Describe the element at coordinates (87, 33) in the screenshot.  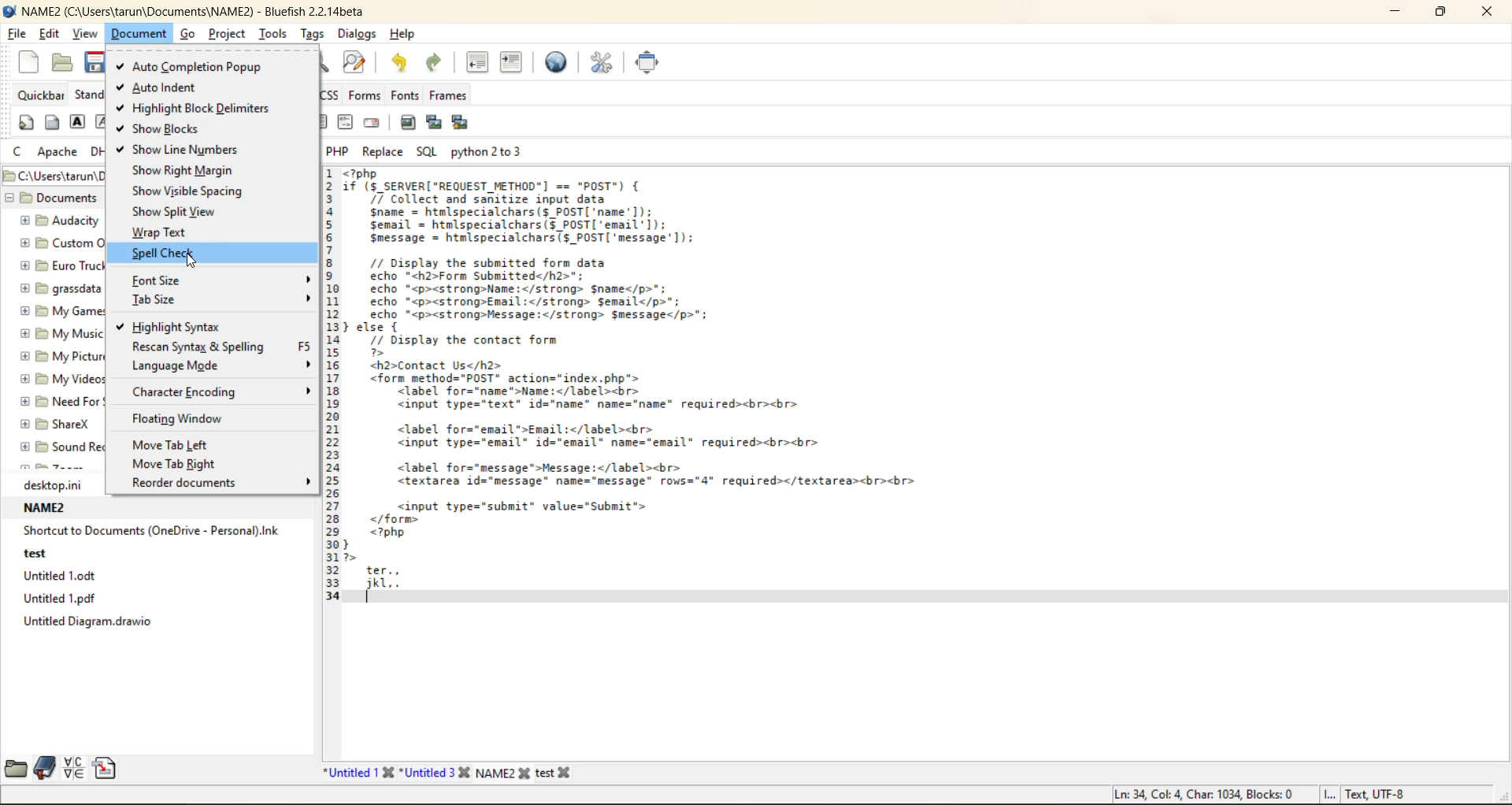
I see `view` at that location.